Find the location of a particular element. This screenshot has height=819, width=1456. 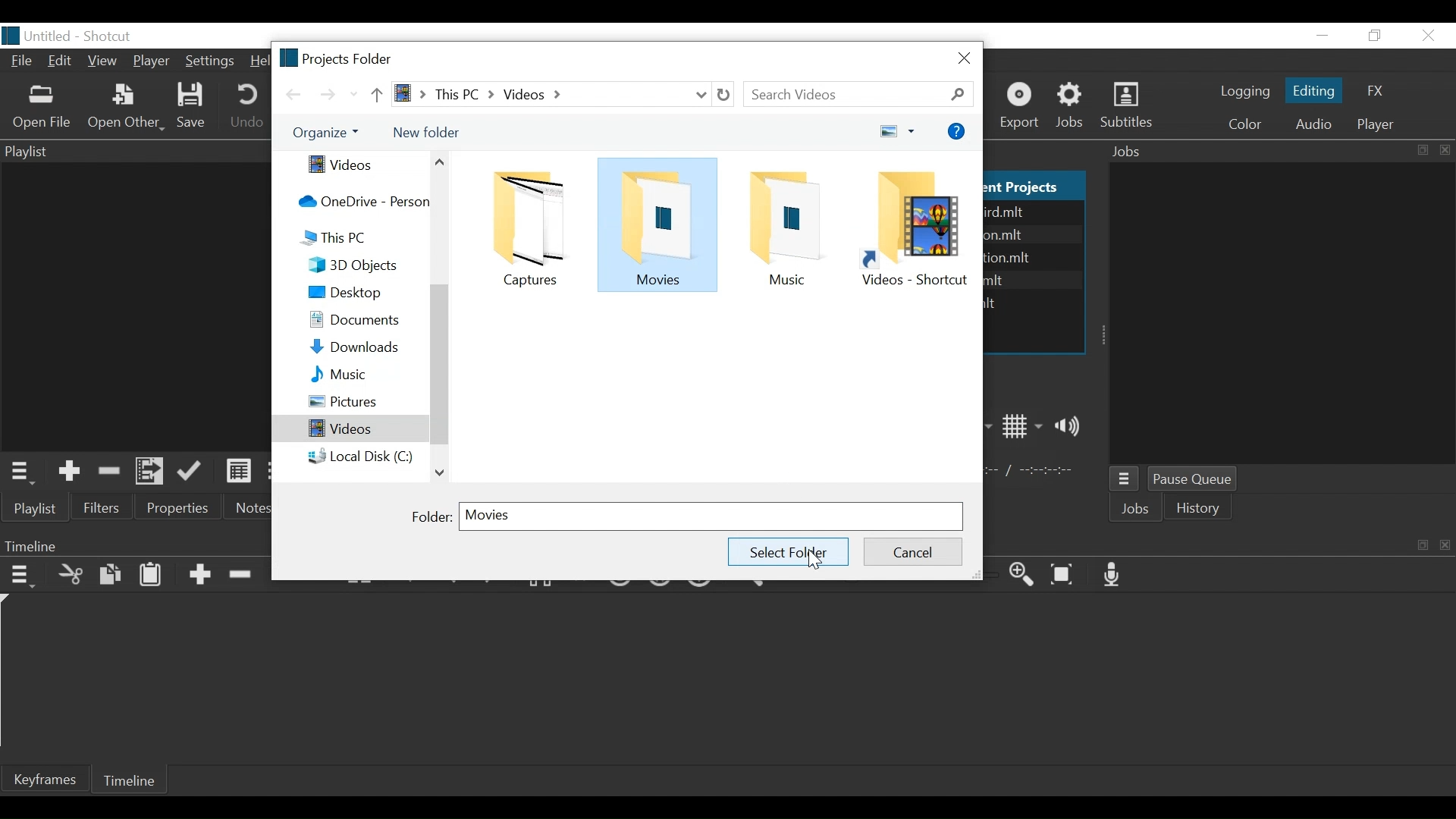

Subtitles is located at coordinates (1126, 106).